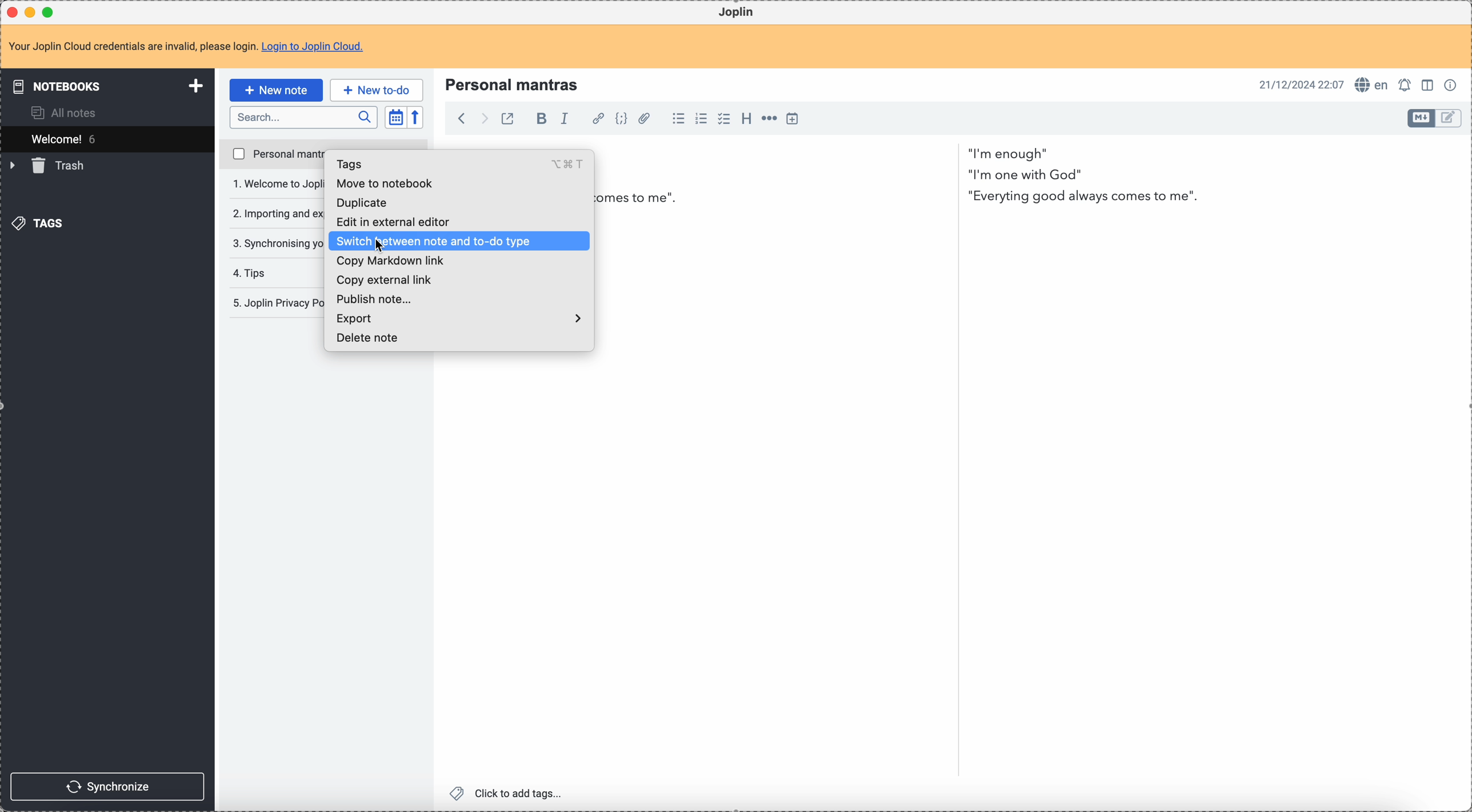  What do you see at coordinates (648, 119) in the screenshot?
I see `attach file` at bounding box center [648, 119].